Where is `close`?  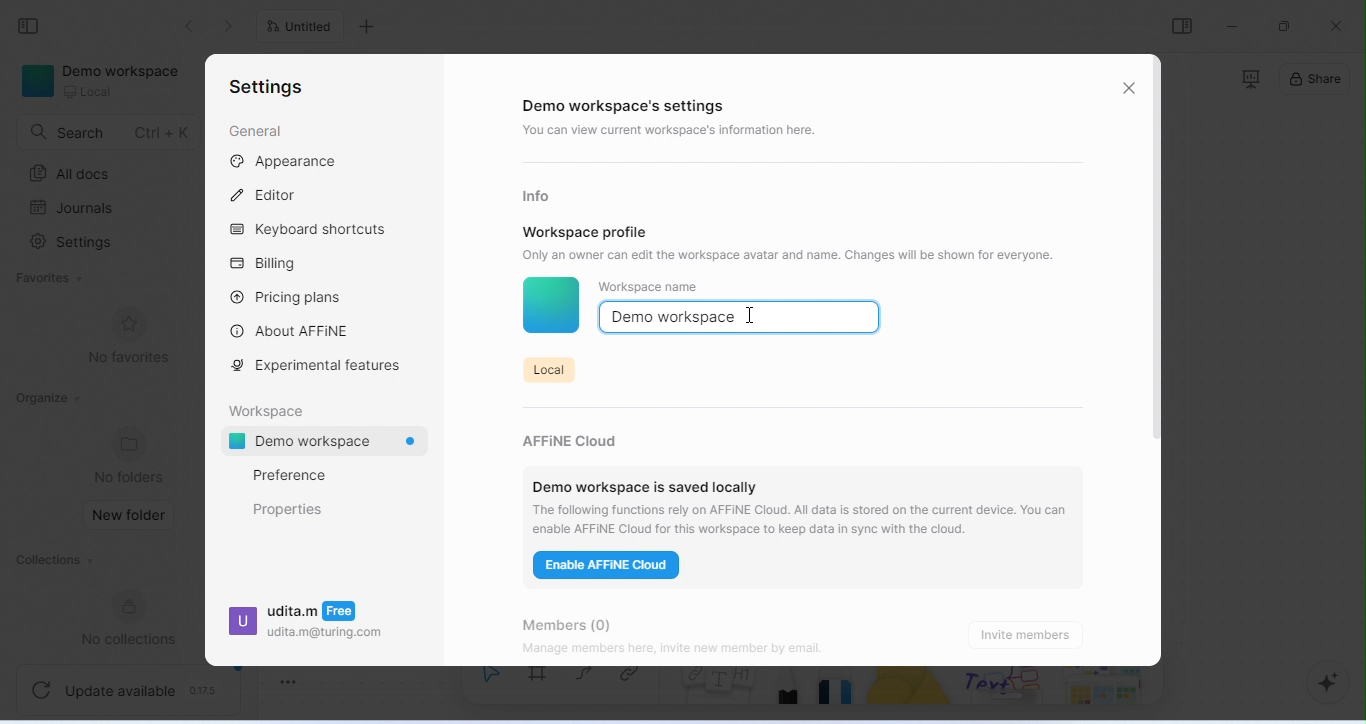
close is located at coordinates (1129, 87).